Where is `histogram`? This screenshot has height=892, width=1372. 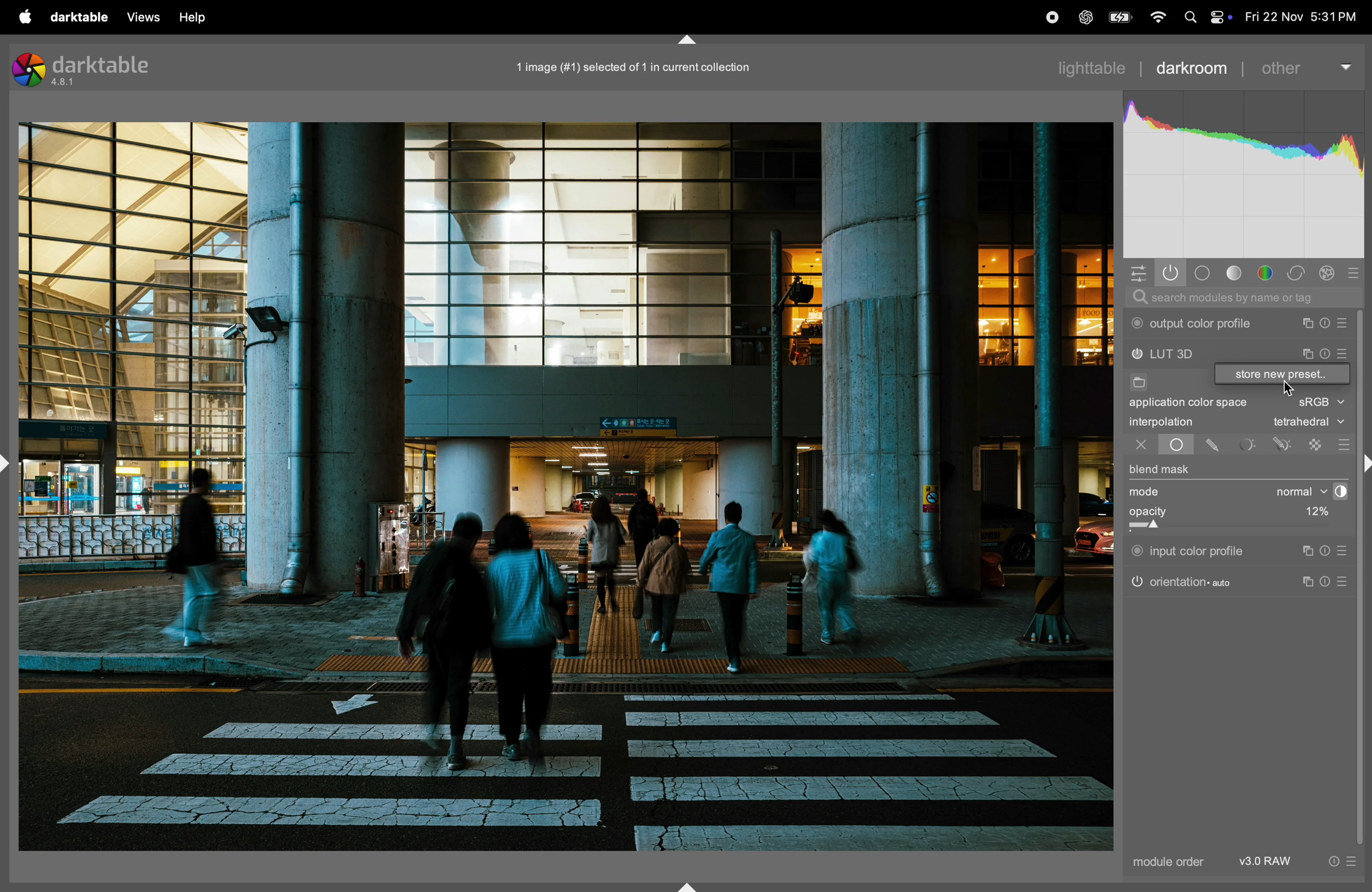 histogram is located at coordinates (1245, 176).